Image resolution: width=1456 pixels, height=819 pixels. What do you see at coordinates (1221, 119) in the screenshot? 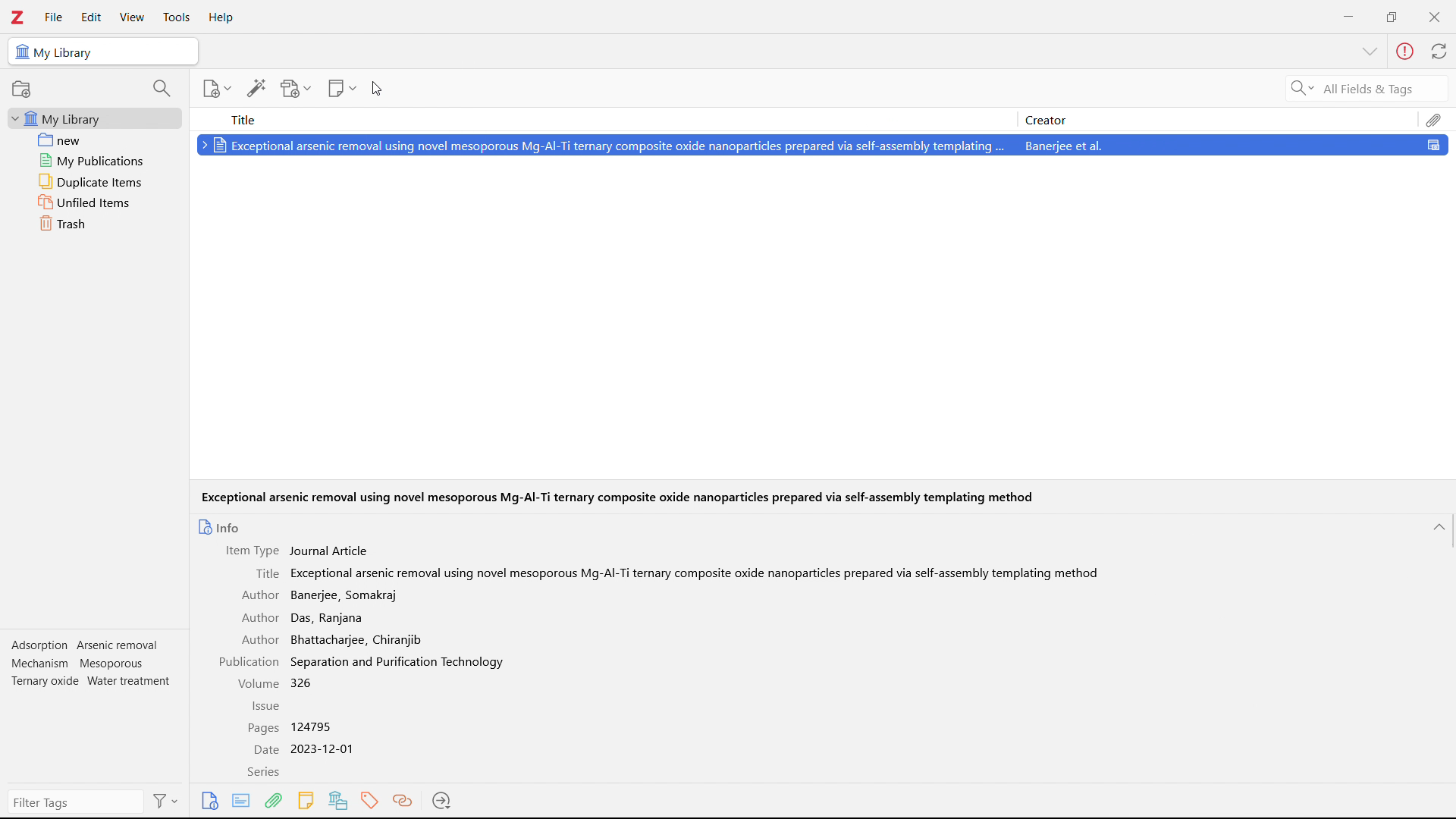
I see `Creator` at bounding box center [1221, 119].